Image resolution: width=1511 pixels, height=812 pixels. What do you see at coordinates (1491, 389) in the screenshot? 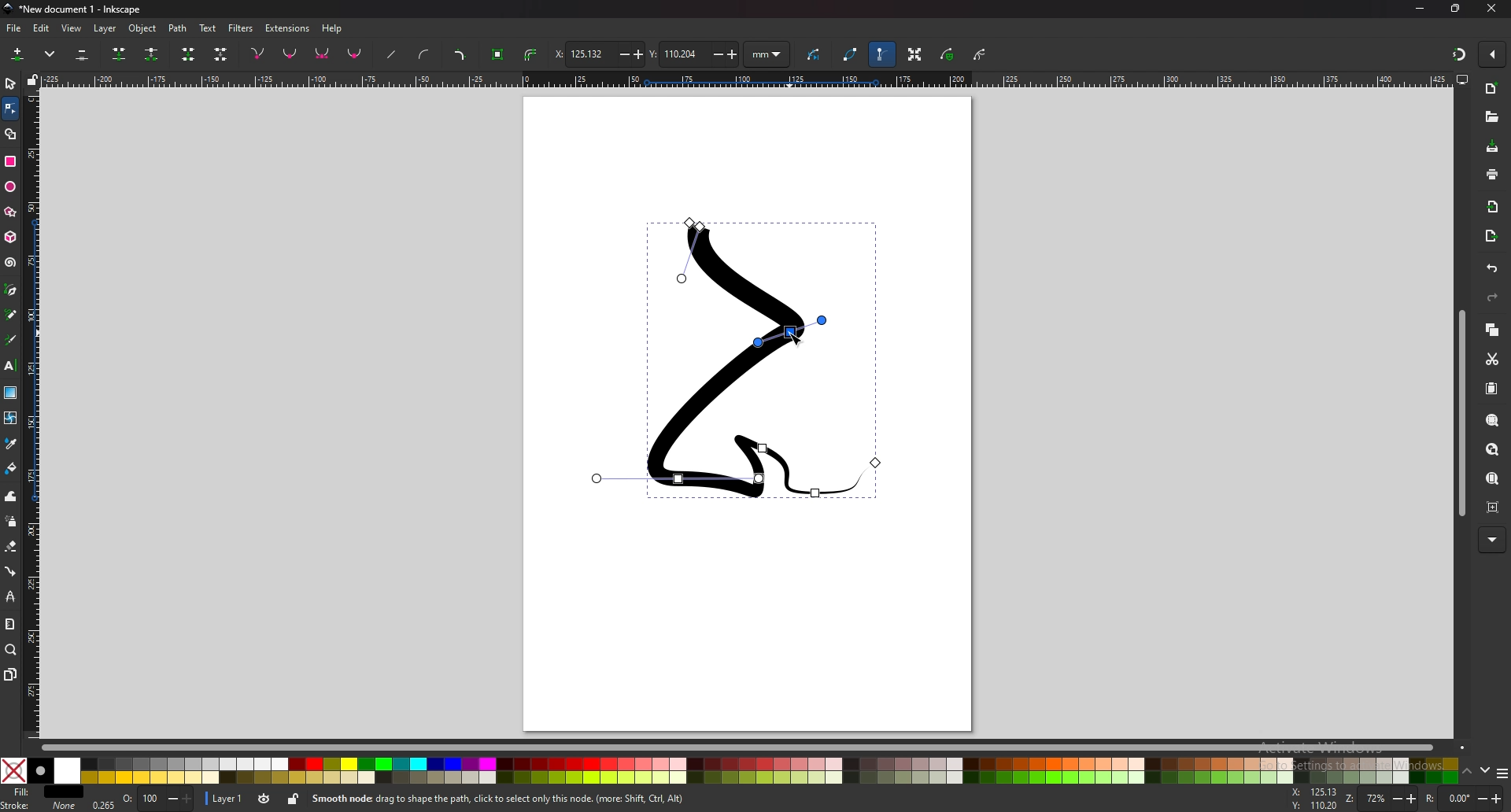
I see `paste` at bounding box center [1491, 389].